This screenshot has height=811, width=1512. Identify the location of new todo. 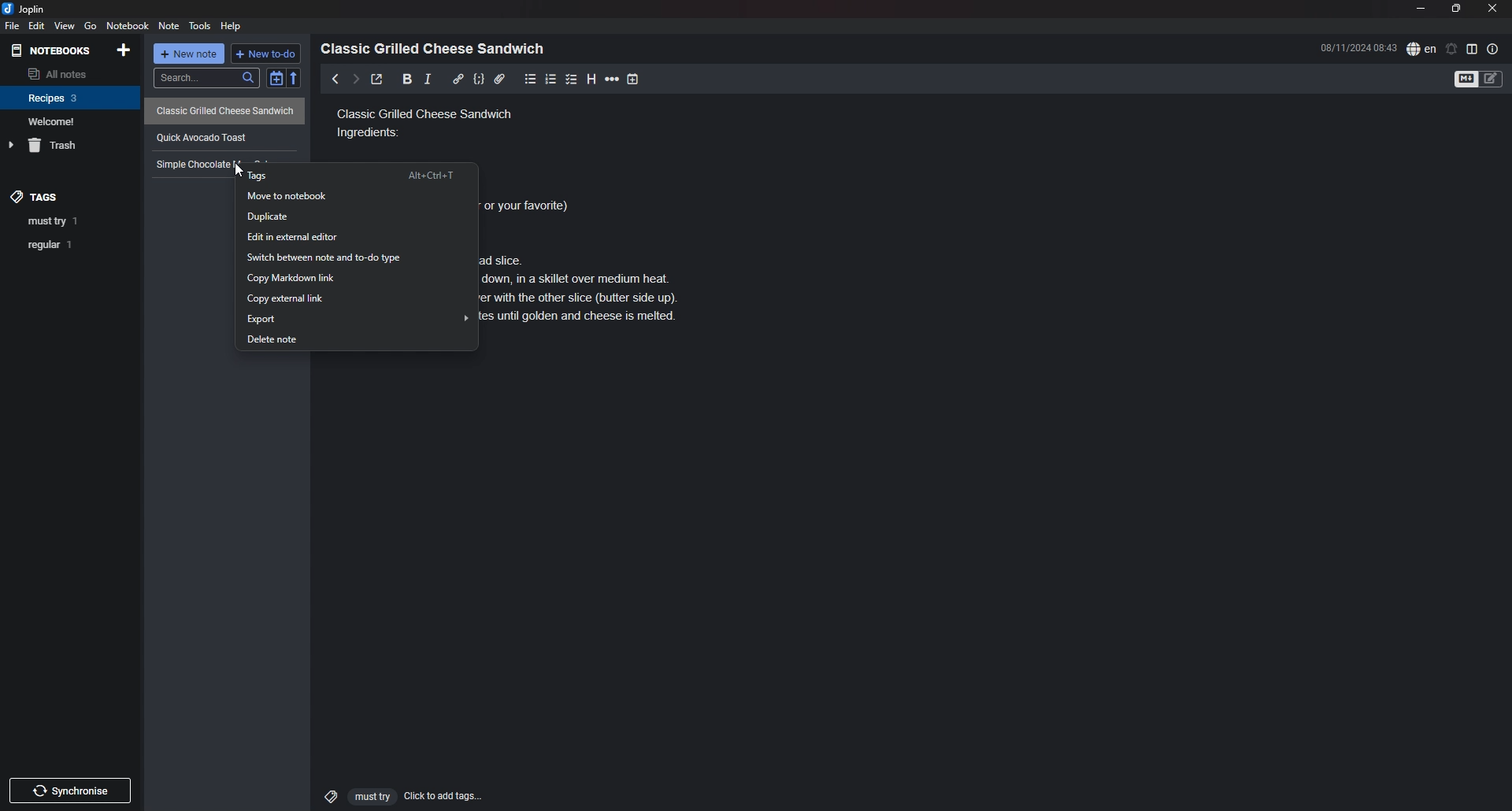
(267, 54).